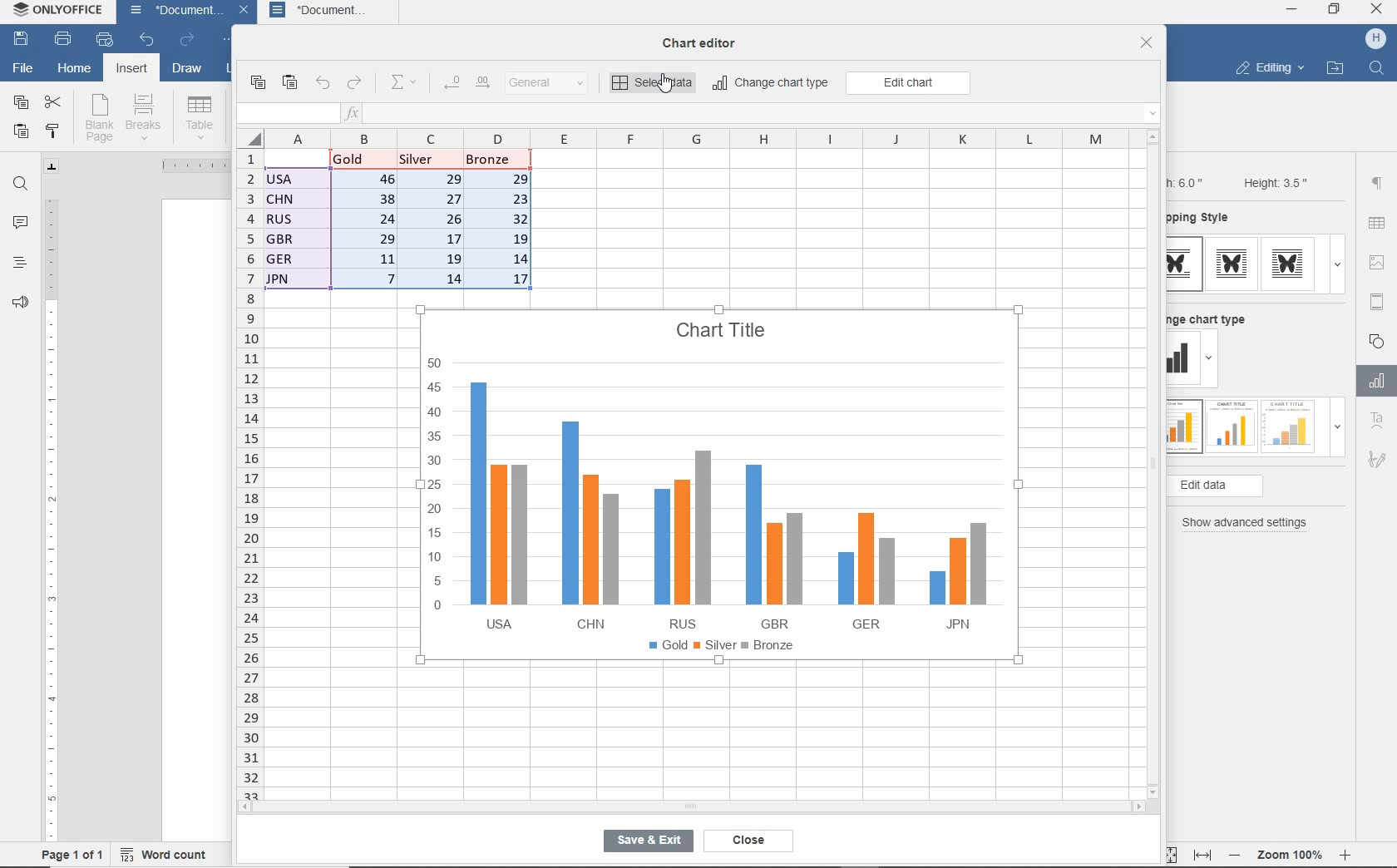 The height and width of the screenshot is (868, 1397). What do you see at coordinates (1376, 301) in the screenshot?
I see `header & footer` at bounding box center [1376, 301].